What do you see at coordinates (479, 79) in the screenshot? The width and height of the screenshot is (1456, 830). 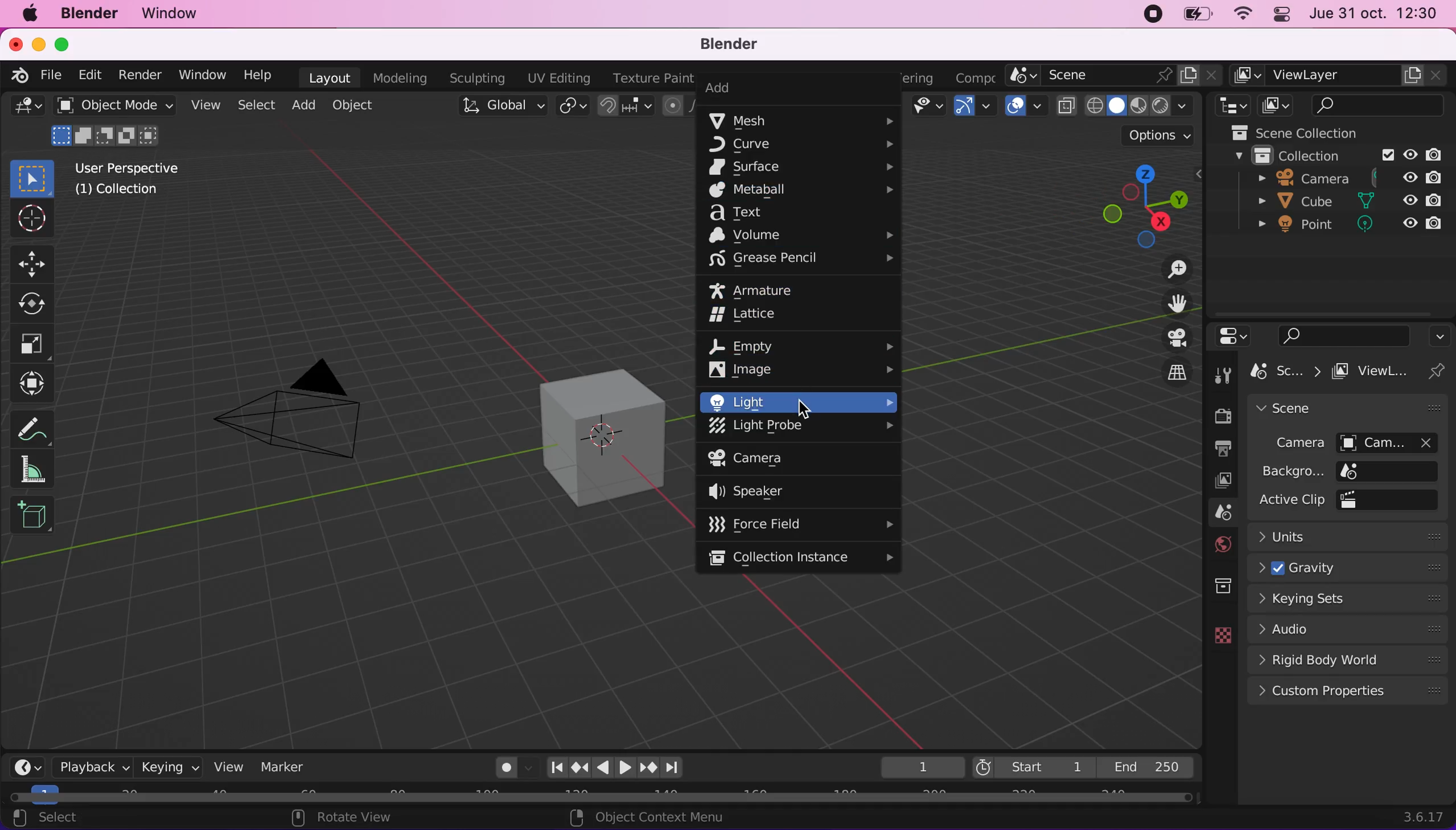 I see `sculpting` at bounding box center [479, 79].